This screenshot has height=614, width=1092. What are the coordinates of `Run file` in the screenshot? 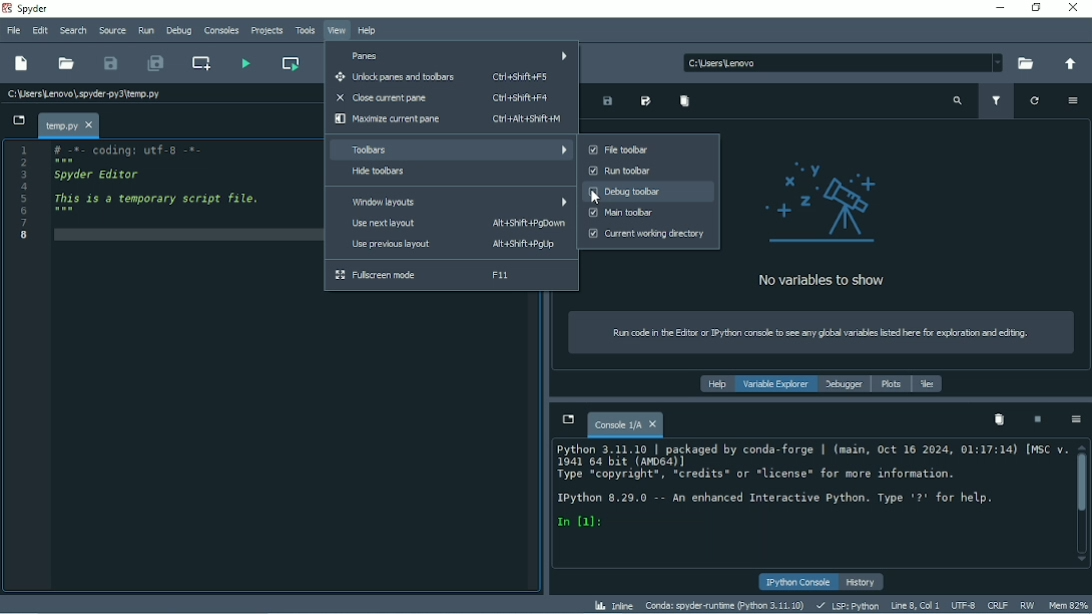 It's located at (245, 62).